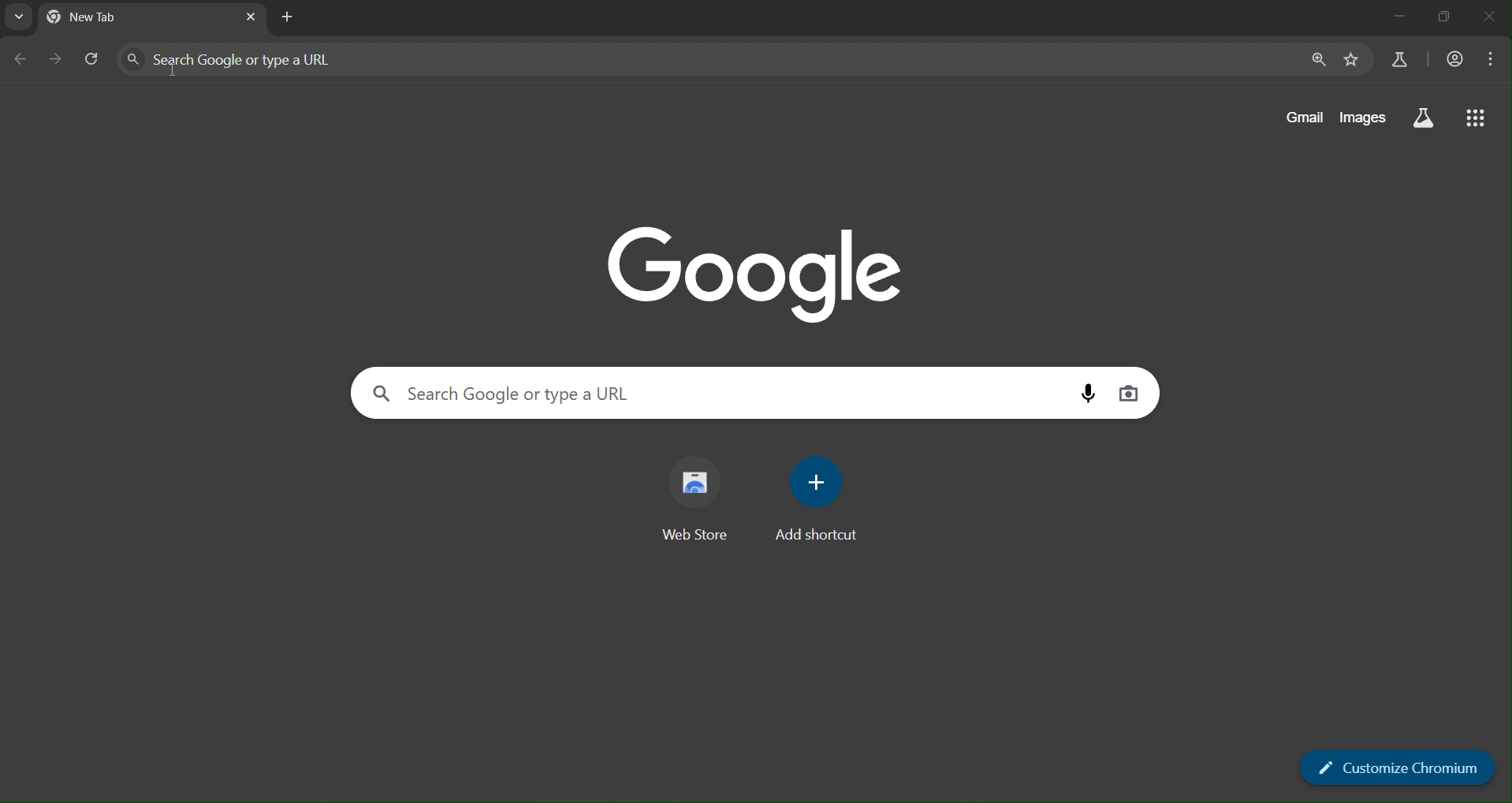  Describe the element at coordinates (57, 60) in the screenshot. I see `go forward in page` at that location.